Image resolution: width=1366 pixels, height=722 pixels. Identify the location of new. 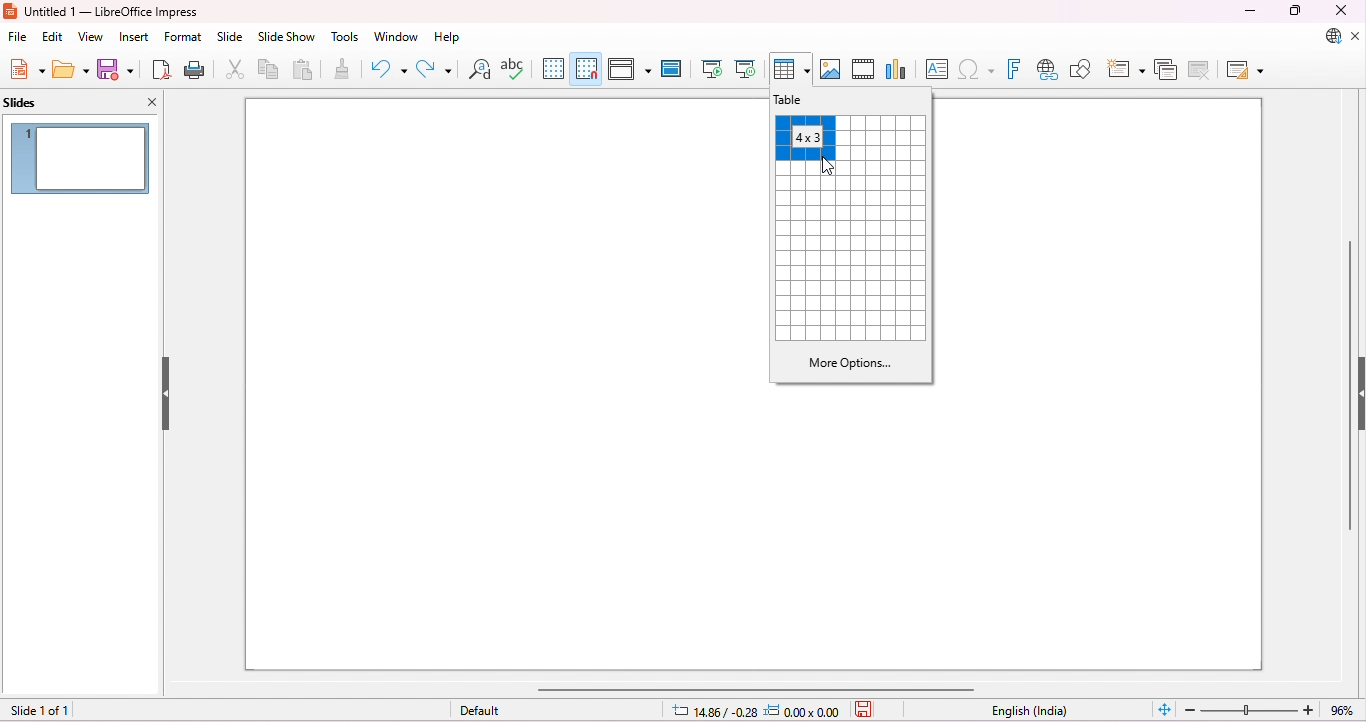
(27, 69).